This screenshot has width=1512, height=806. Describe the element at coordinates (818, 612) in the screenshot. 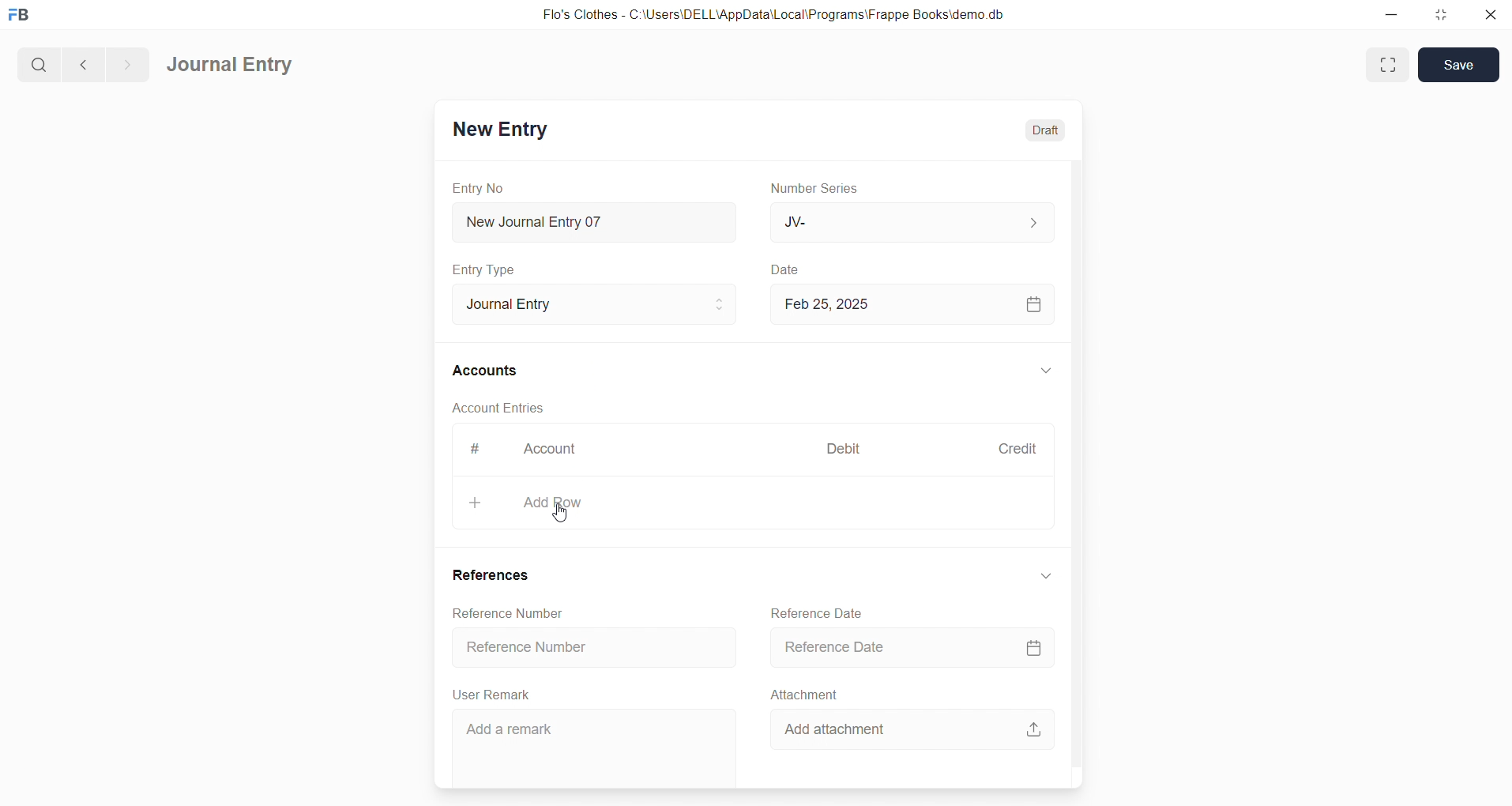

I see `Reference Date` at that location.